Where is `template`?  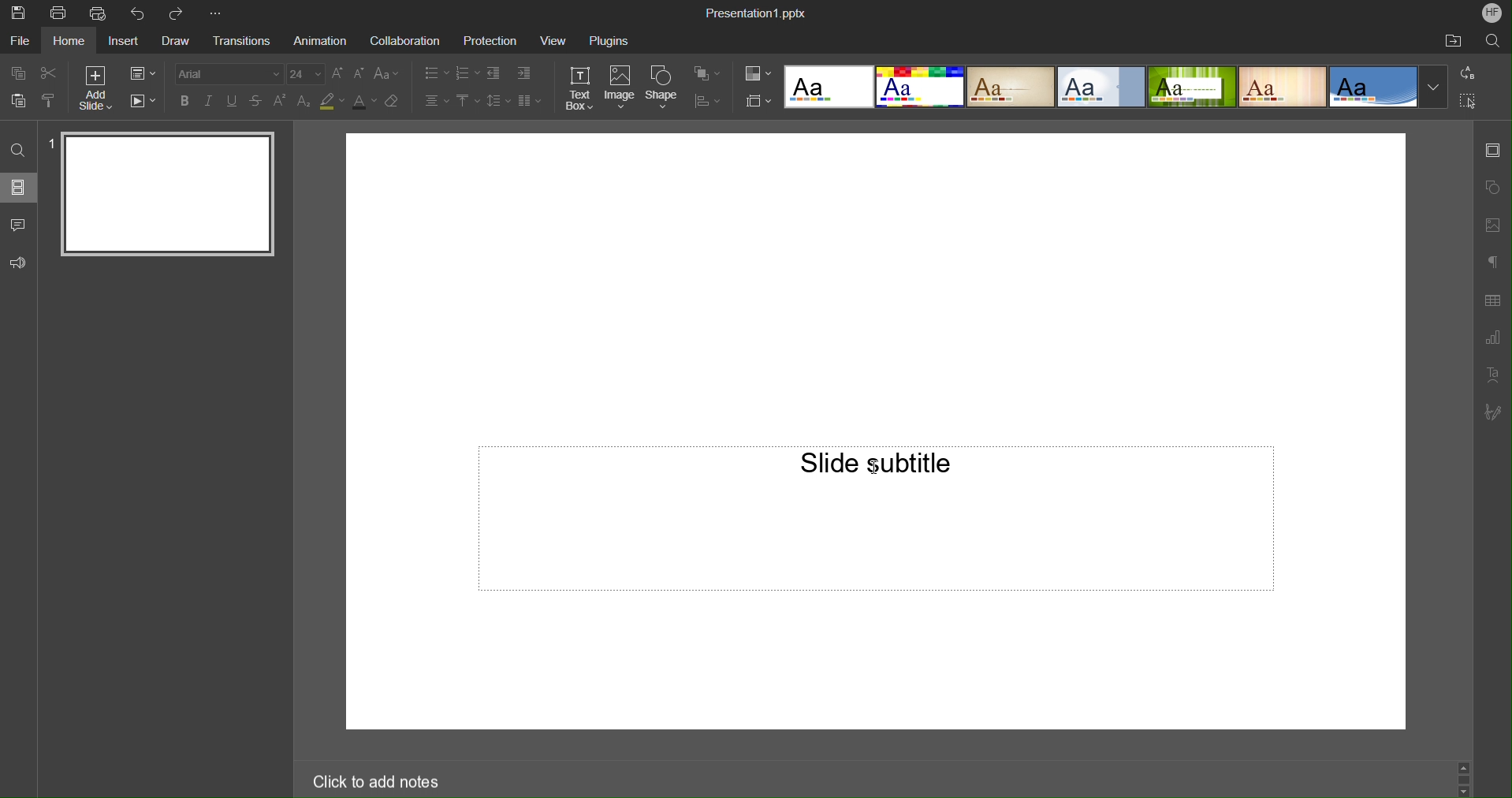
template is located at coordinates (1191, 88).